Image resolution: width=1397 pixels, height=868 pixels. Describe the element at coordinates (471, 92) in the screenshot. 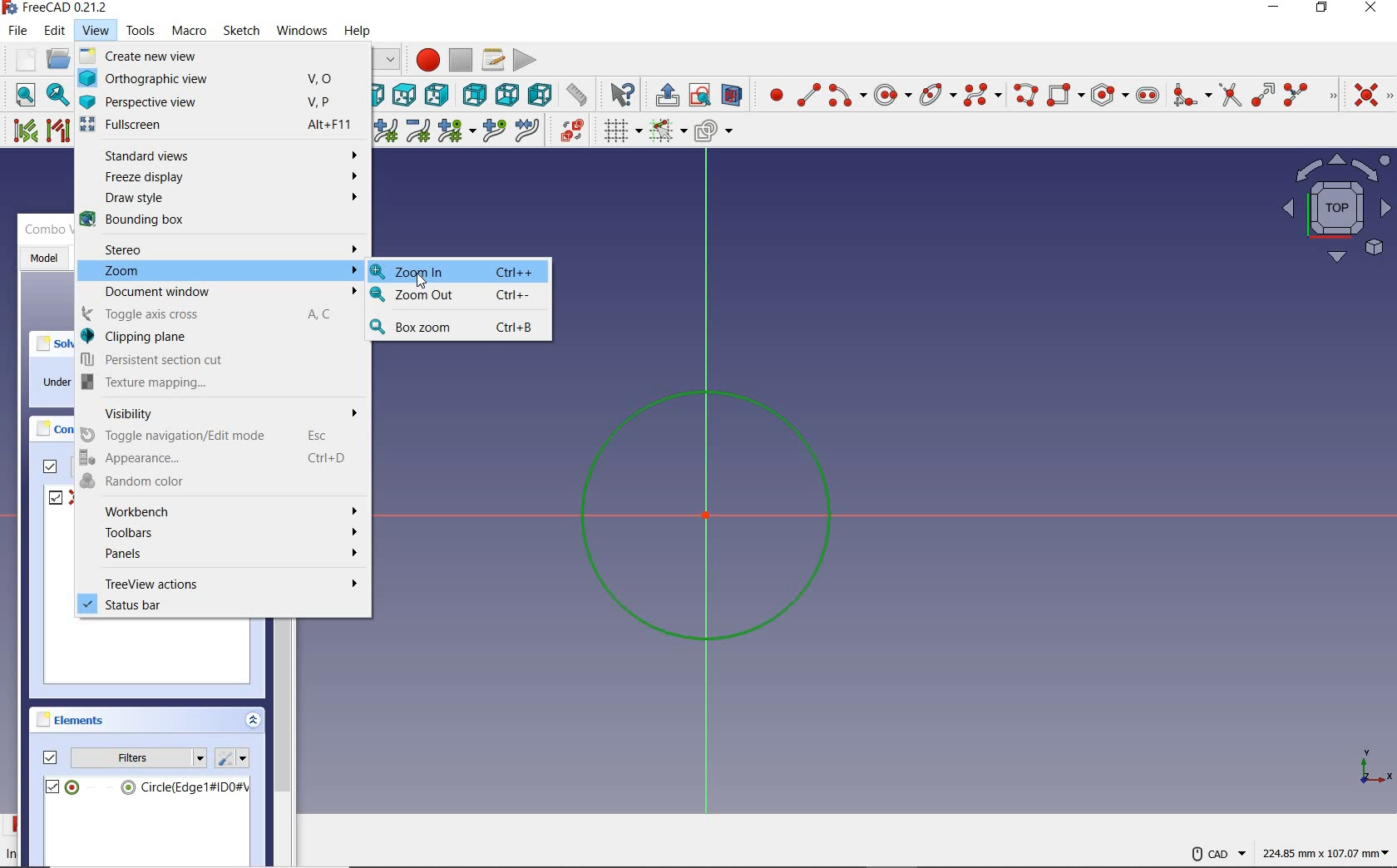

I see `rear` at that location.